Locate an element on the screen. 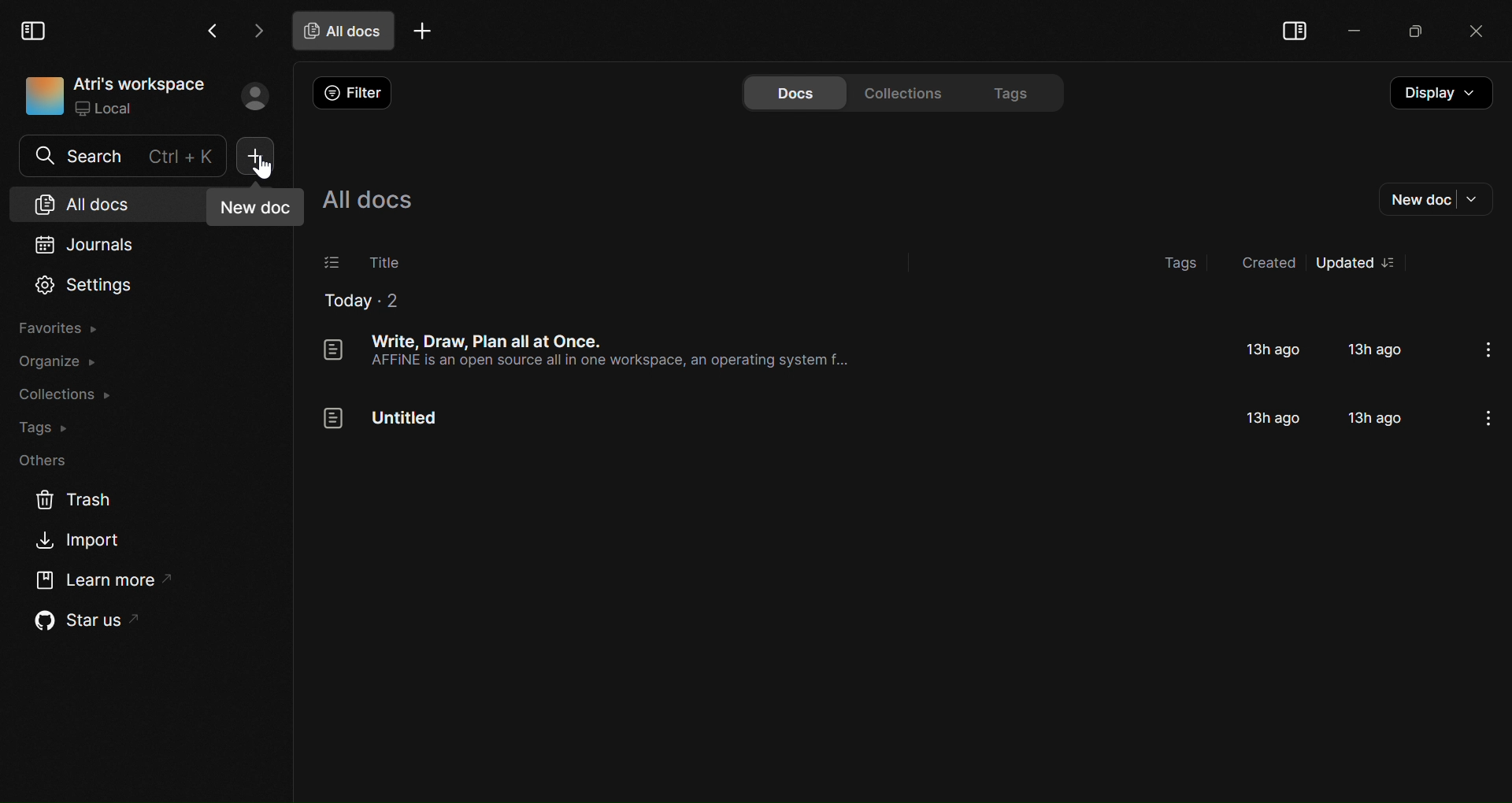 This screenshot has height=803, width=1512. 13h ago is located at coordinates (1274, 419).